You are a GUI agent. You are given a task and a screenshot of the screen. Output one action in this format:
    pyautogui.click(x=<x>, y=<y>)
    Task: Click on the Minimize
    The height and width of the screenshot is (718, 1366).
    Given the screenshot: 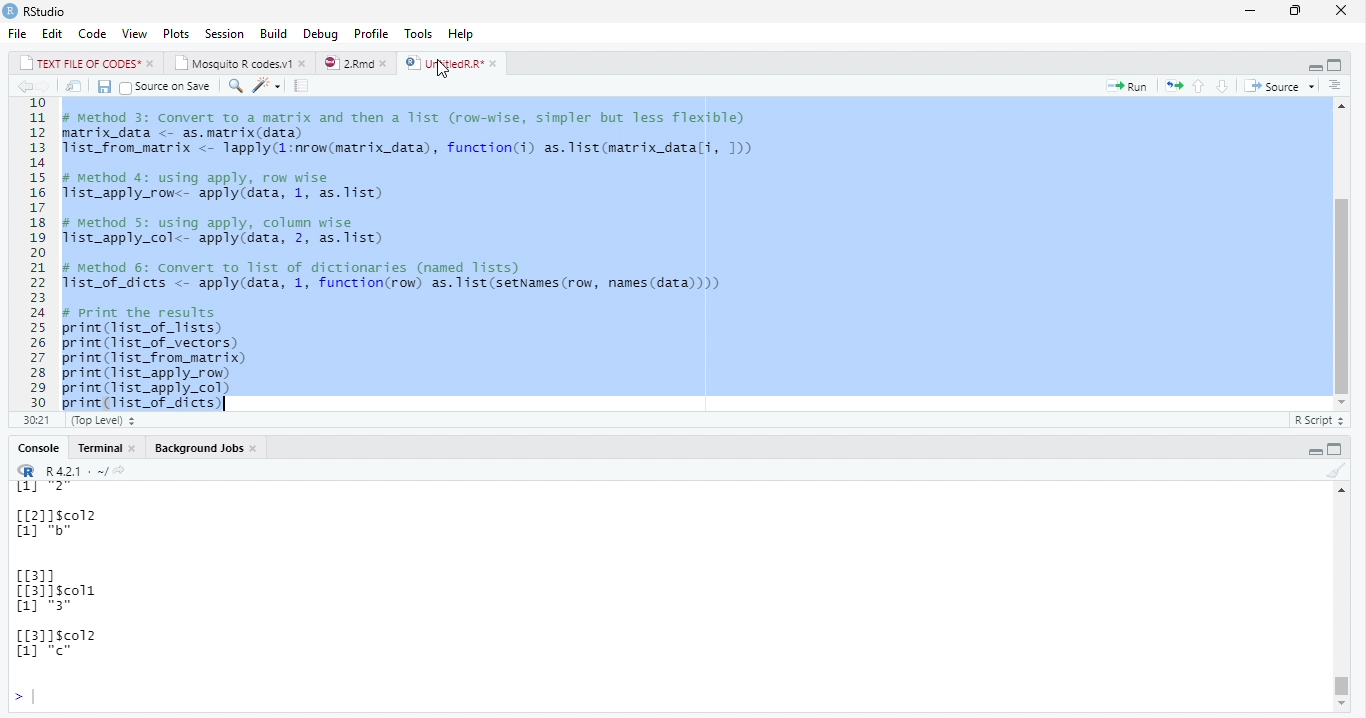 What is the action you would take?
    pyautogui.click(x=1251, y=10)
    